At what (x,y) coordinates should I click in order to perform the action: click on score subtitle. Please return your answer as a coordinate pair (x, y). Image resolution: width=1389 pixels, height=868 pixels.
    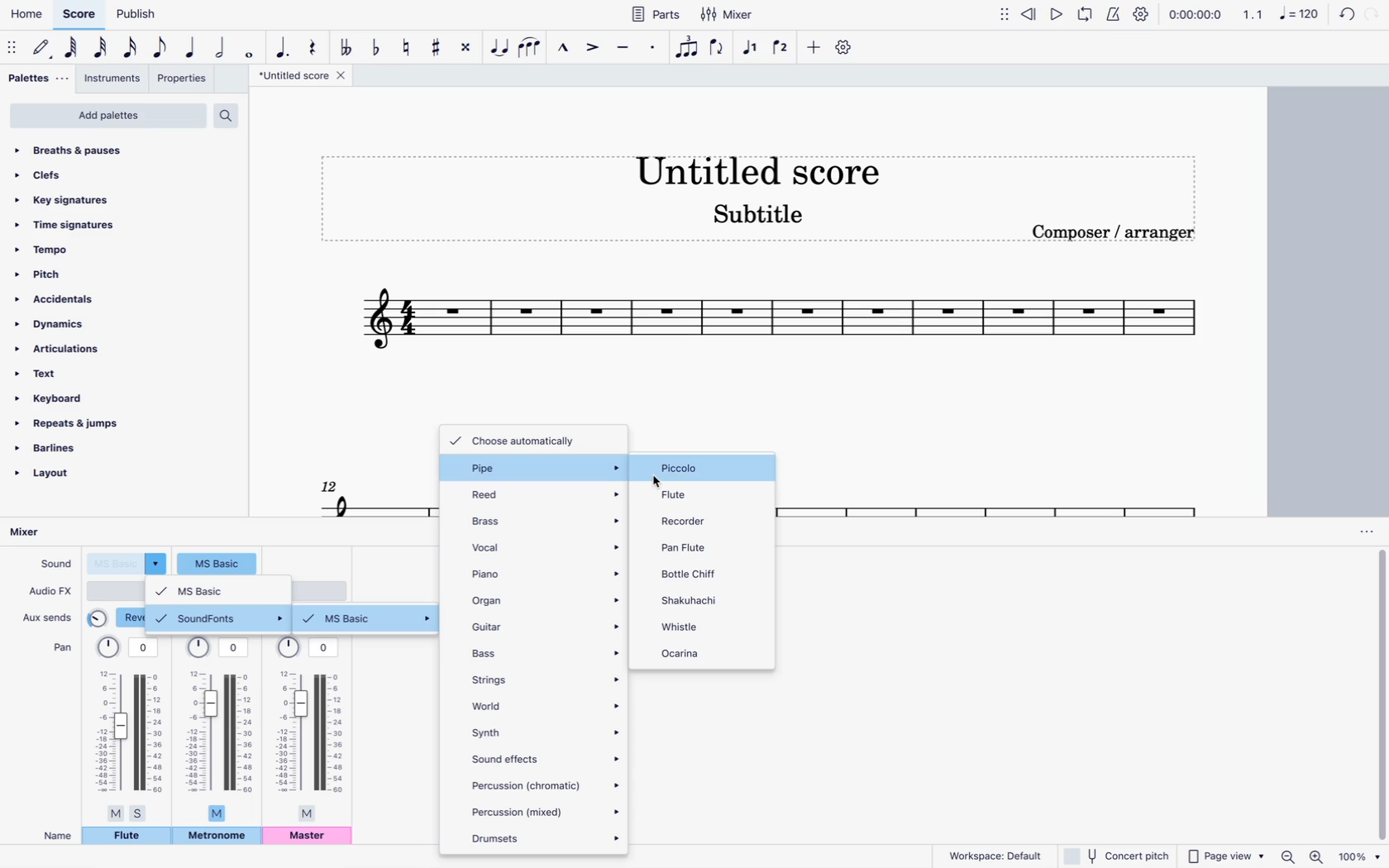
    Looking at the image, I should click on (759, 218).